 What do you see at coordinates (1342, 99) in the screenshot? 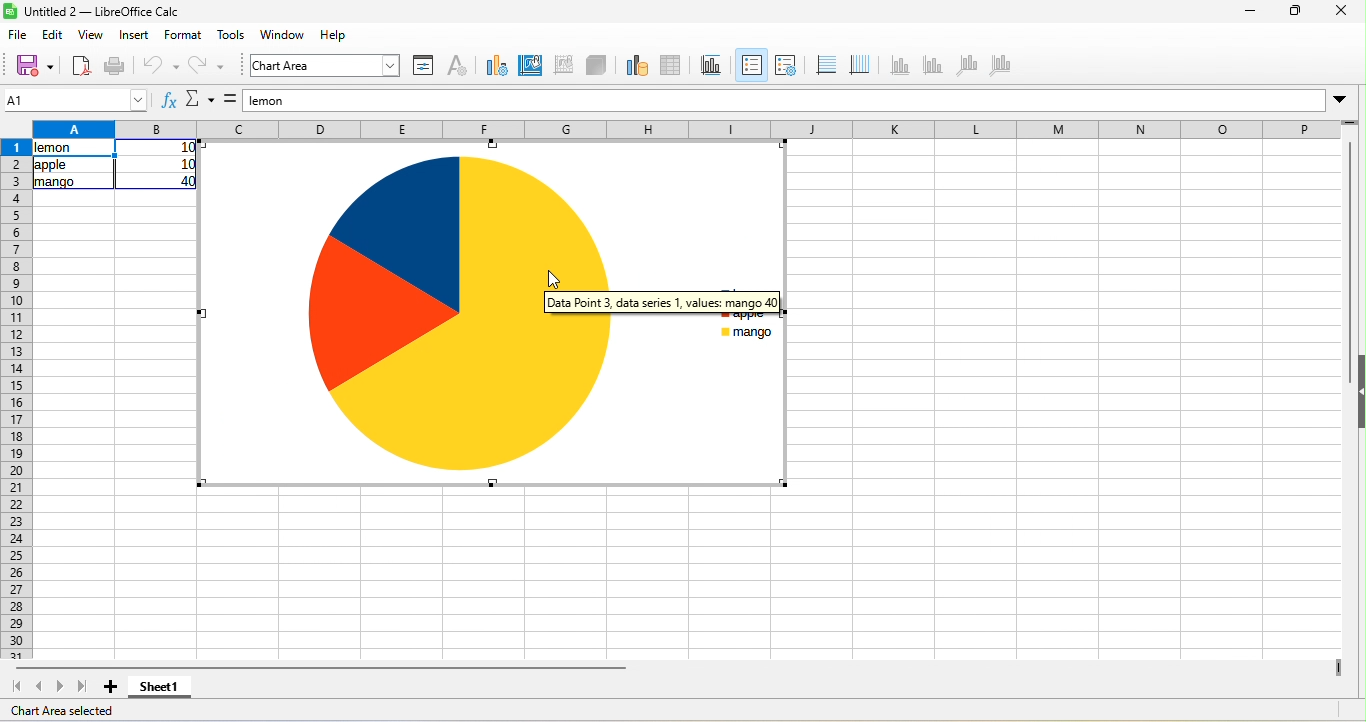
I see `Drop-down ` at bounding box center [1342, 99].